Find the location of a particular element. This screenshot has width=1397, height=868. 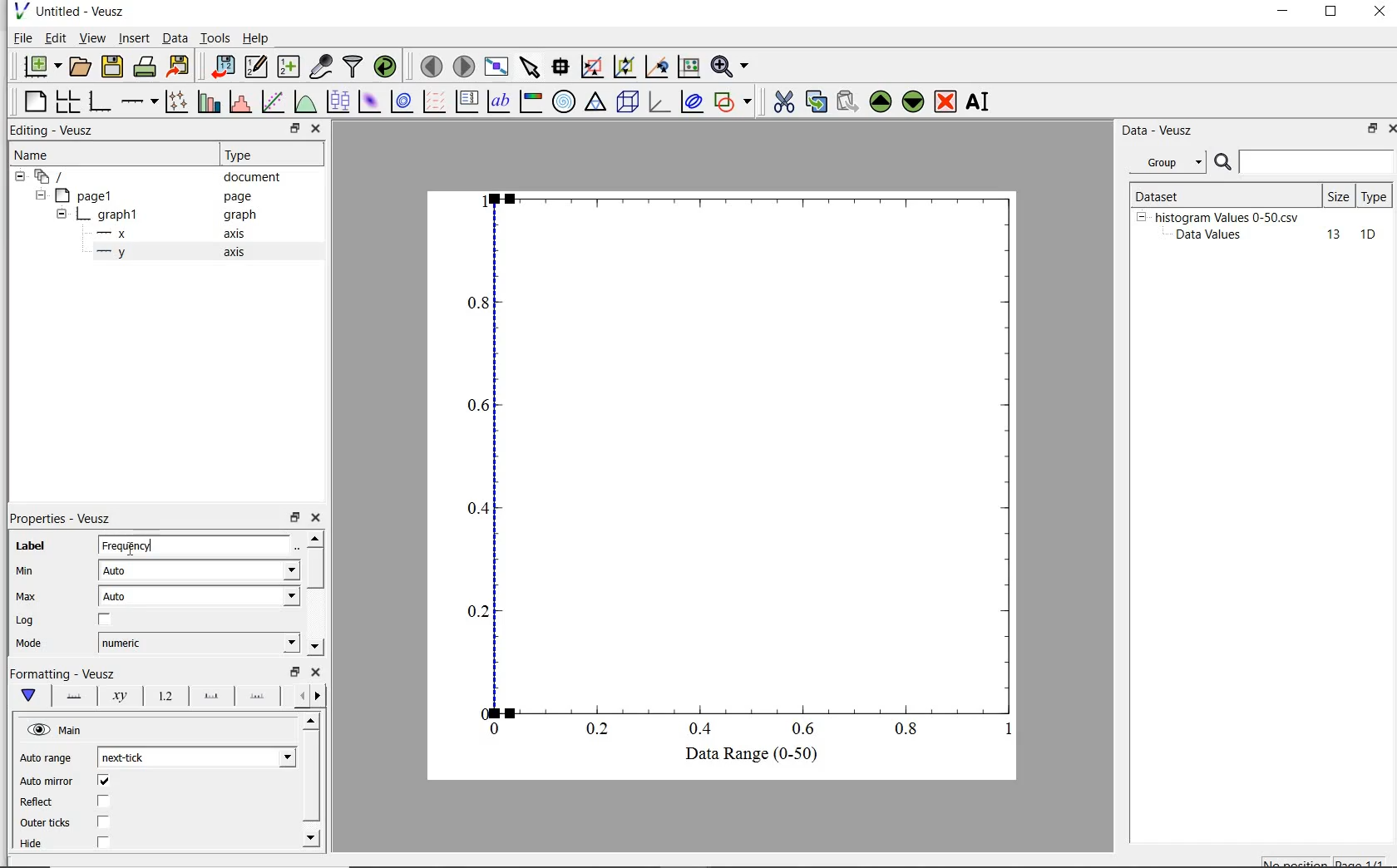

reload linked datasets is located at coordinates (388, 67).